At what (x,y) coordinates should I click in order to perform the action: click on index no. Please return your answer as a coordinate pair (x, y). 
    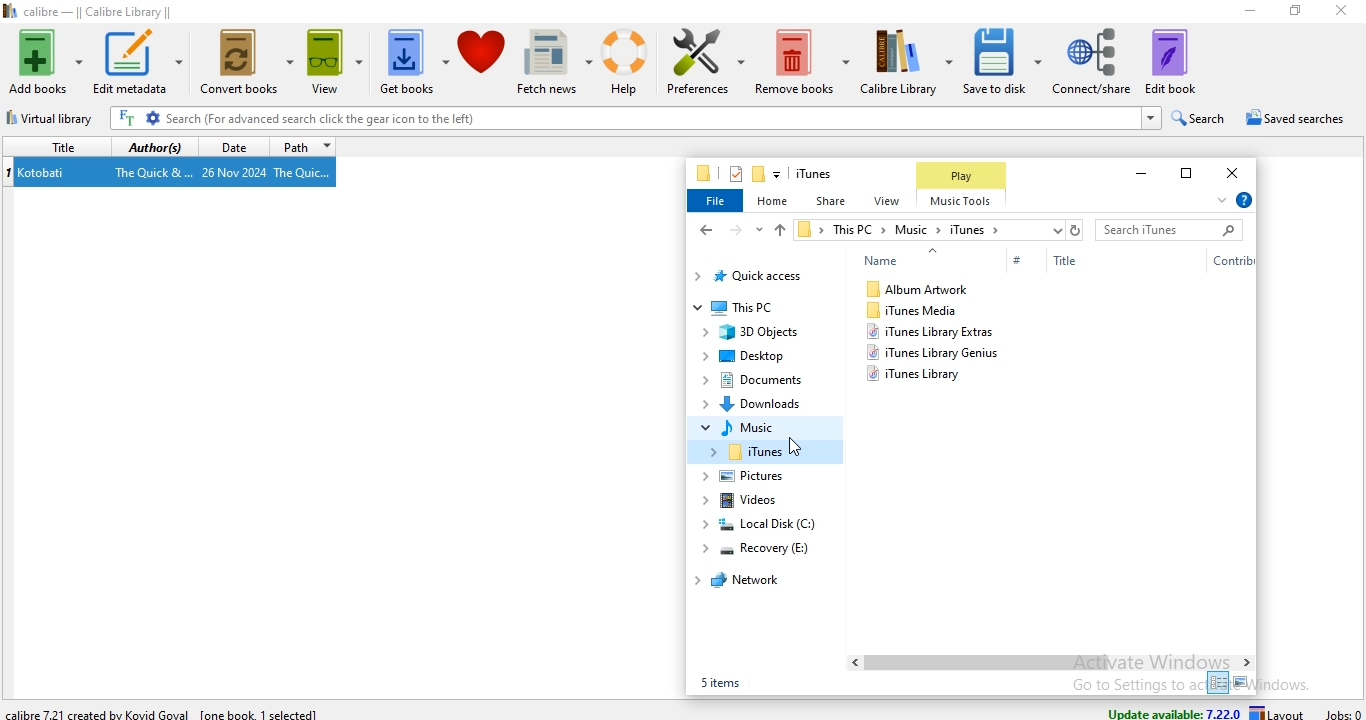
    Looking at the image, I should click on (9, 172).